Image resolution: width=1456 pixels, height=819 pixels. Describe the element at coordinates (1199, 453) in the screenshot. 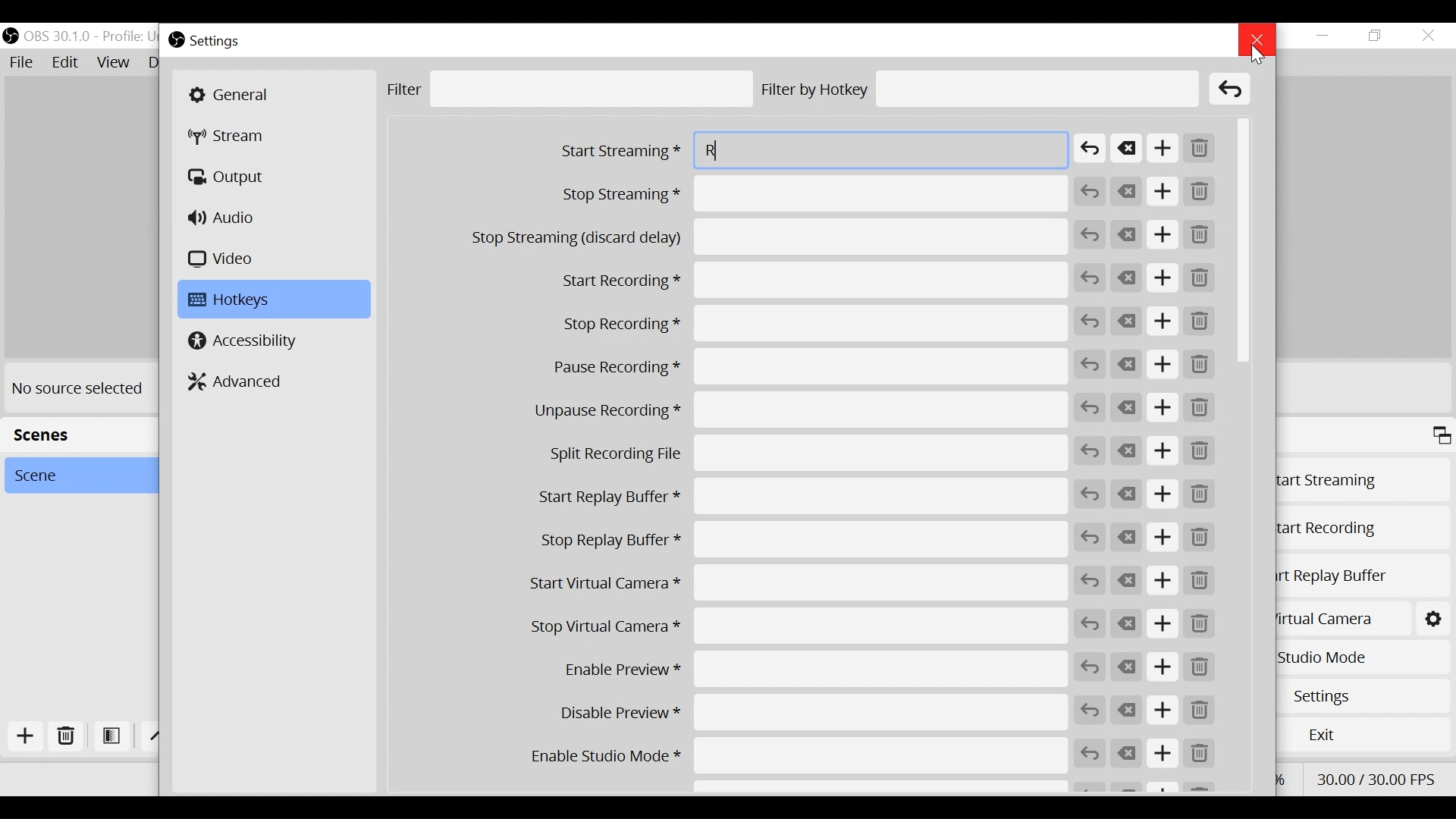

I see `Remove` at that location.